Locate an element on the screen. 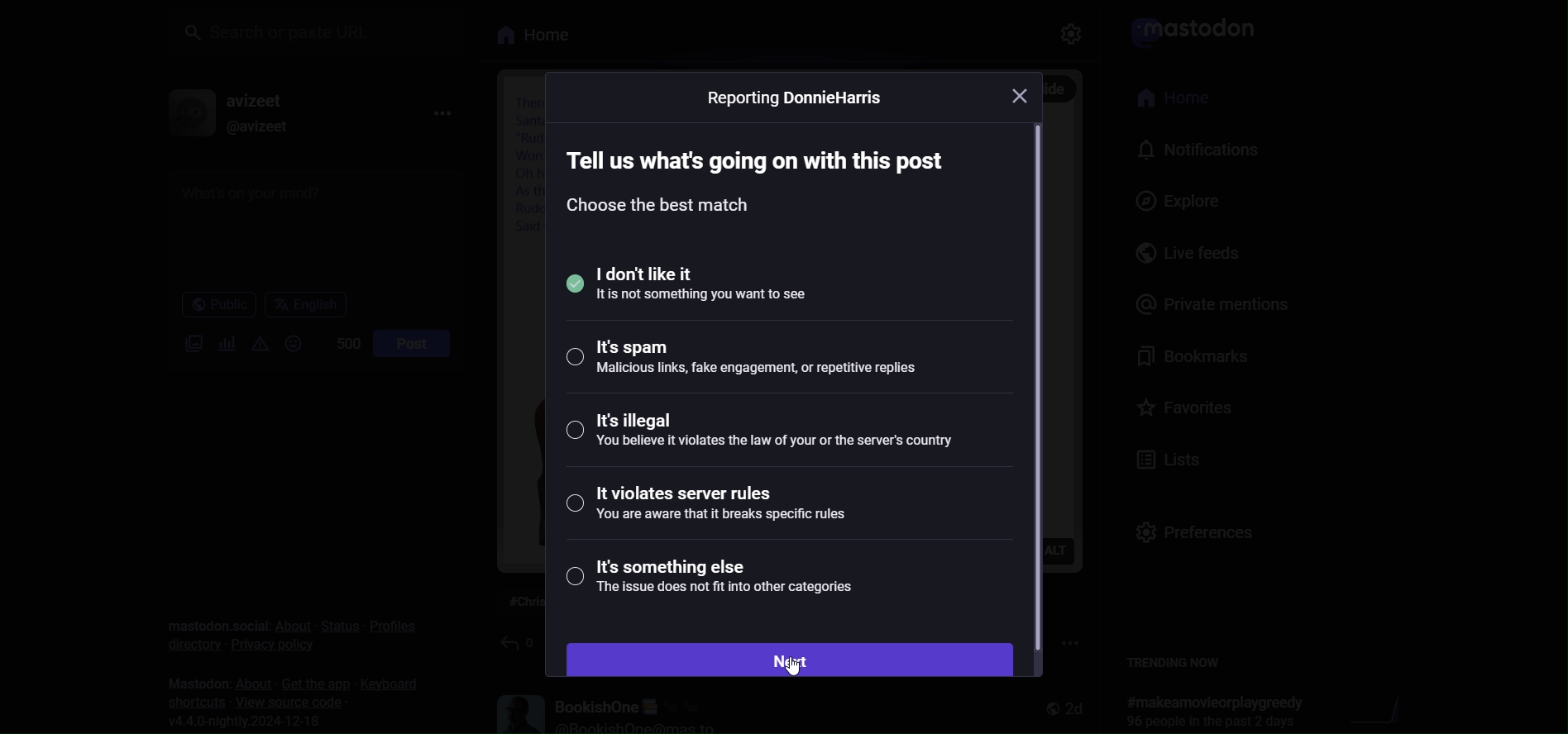 Image resolution: width=1568 pixels, height=734 pixels. emoji is located at coordinates (291, 343).